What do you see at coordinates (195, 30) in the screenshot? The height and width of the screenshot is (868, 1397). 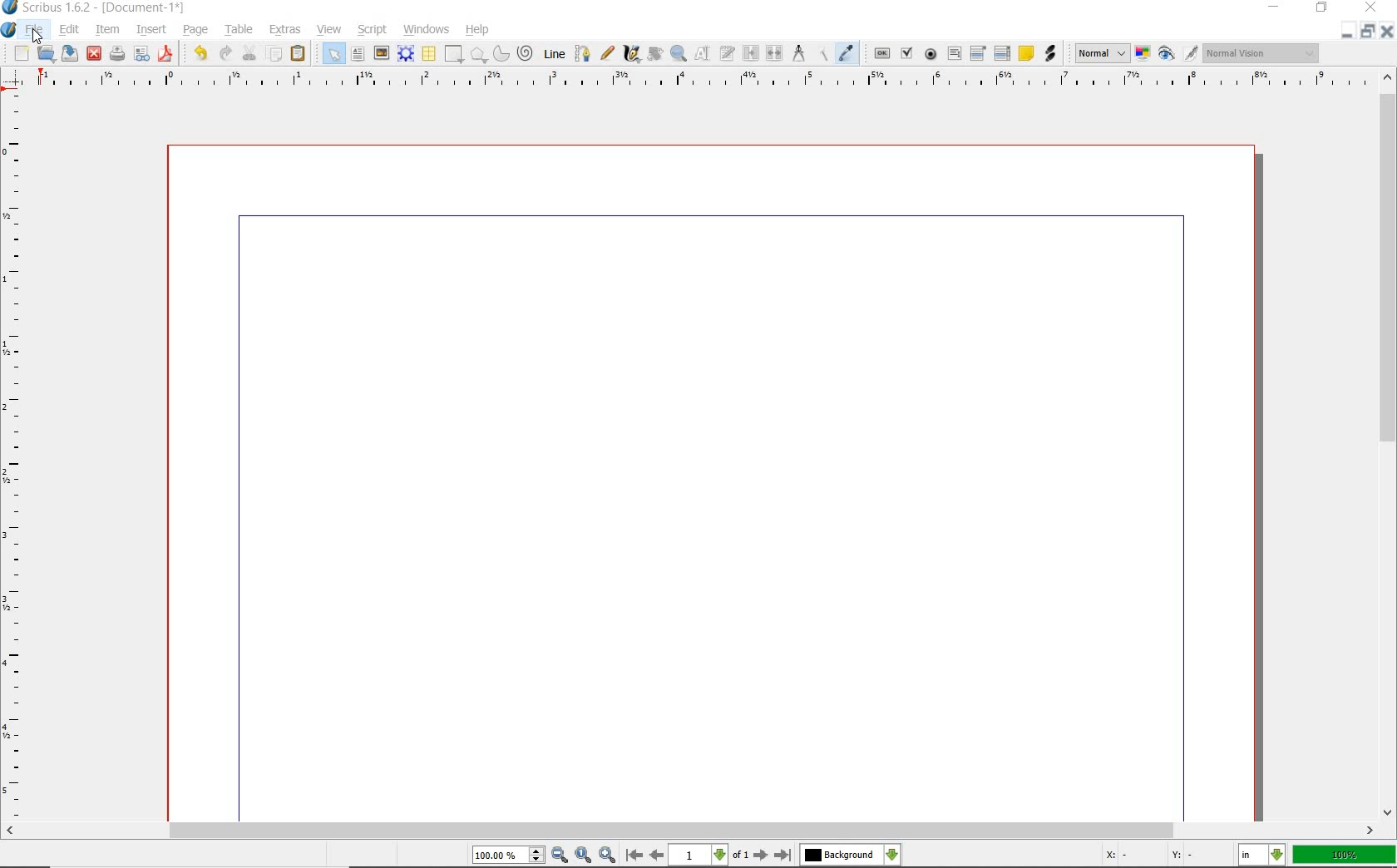 I see `page` at bounding box center [195, 30].